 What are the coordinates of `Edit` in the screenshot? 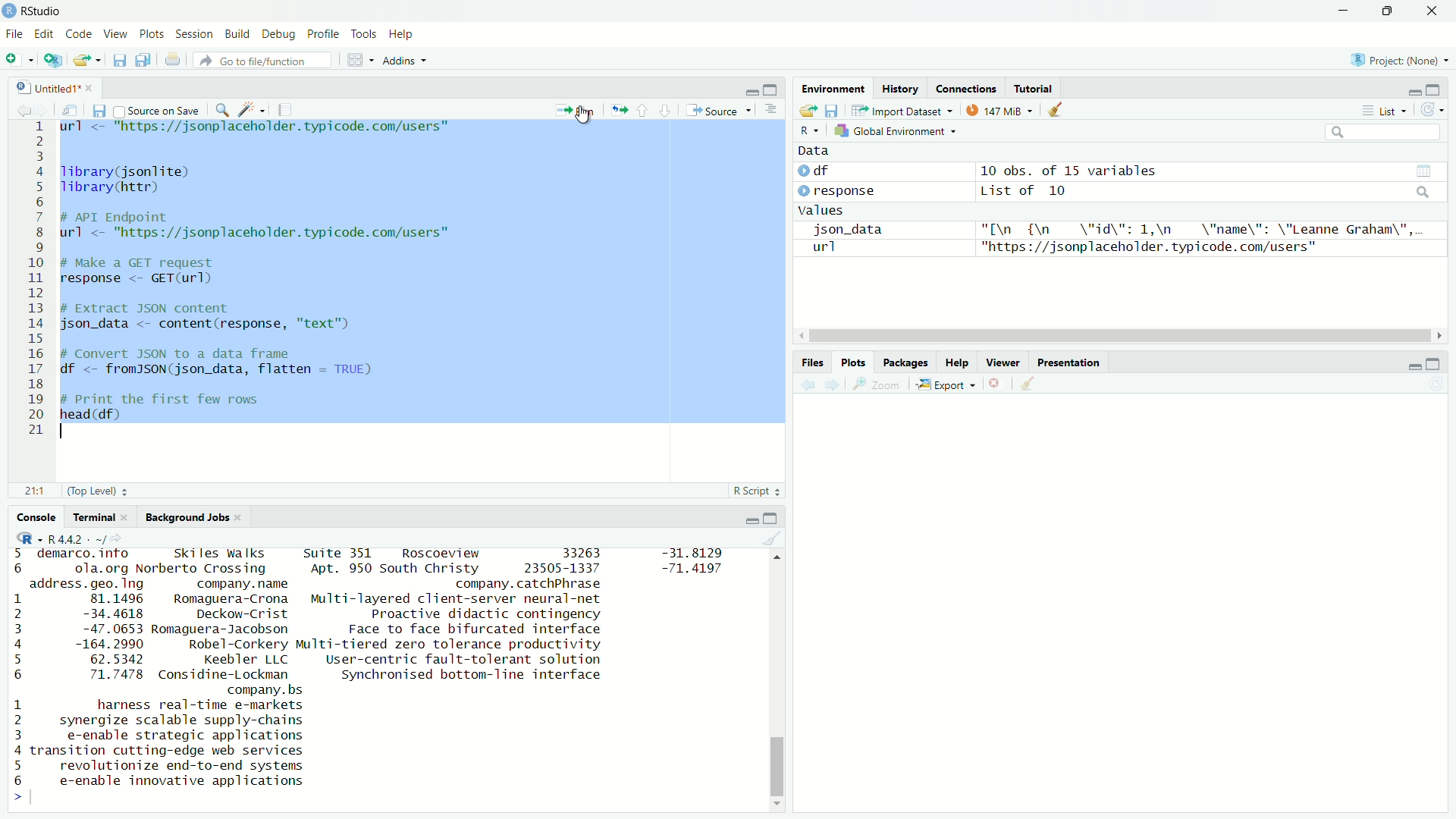 It's located at (43, 35).